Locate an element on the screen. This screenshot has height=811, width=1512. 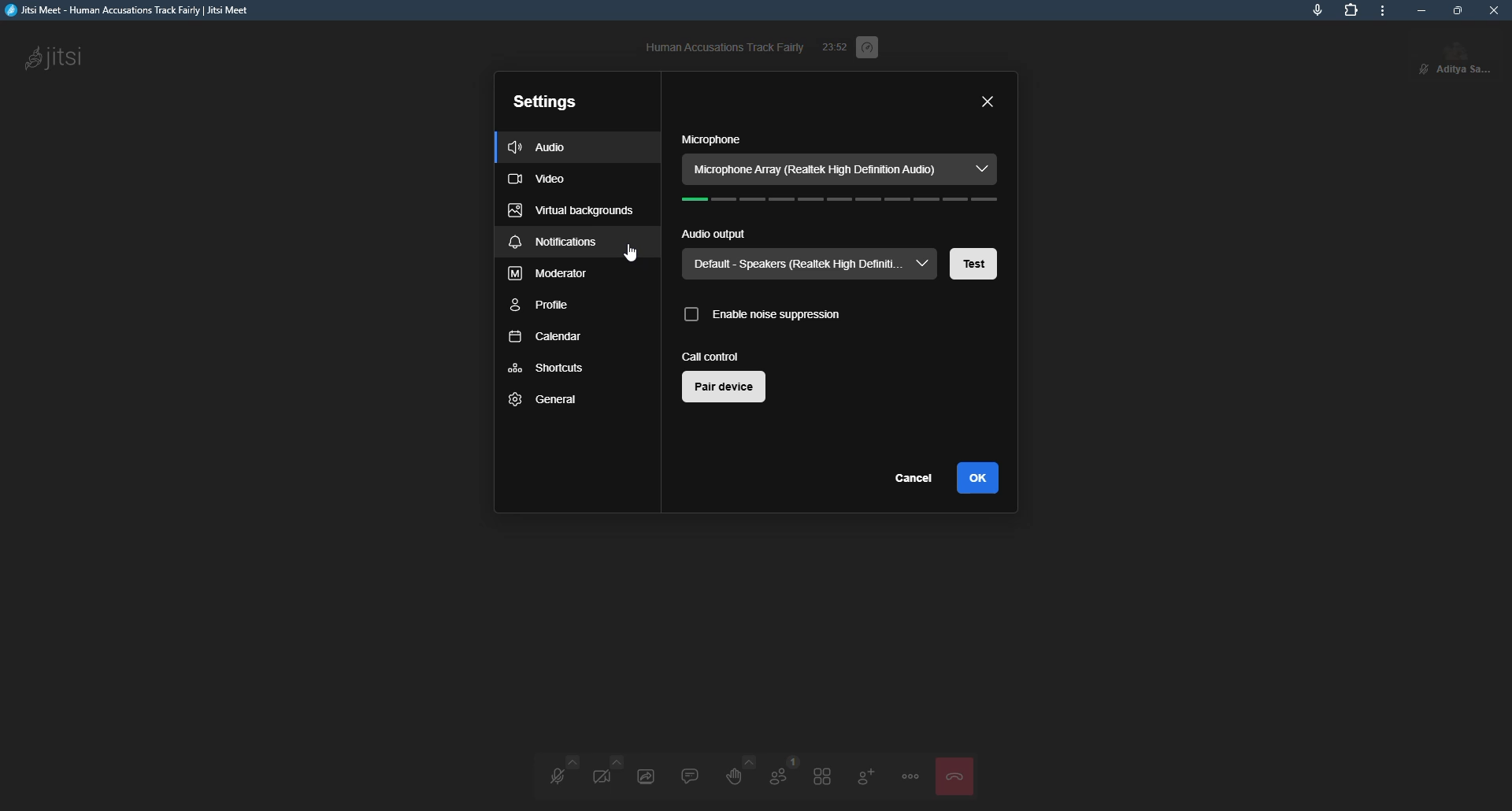
call control is located at coordinates (713, 355).